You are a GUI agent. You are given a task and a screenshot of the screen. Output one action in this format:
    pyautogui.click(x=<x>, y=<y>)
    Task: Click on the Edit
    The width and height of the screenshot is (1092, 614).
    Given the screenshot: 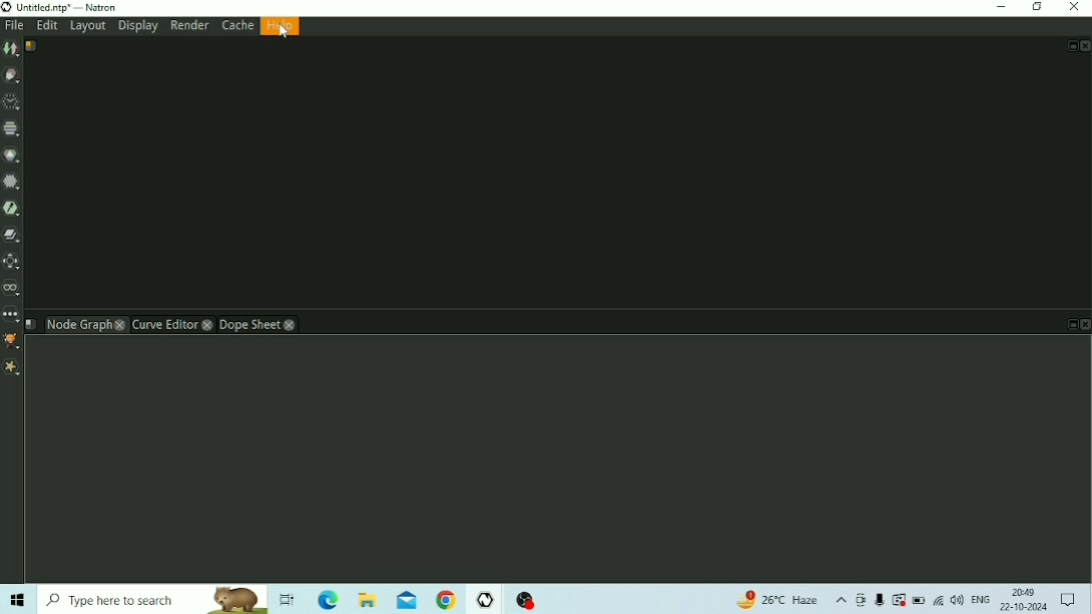 What is the action you would take?
    pyautogui.click(x=47, y=25)
    